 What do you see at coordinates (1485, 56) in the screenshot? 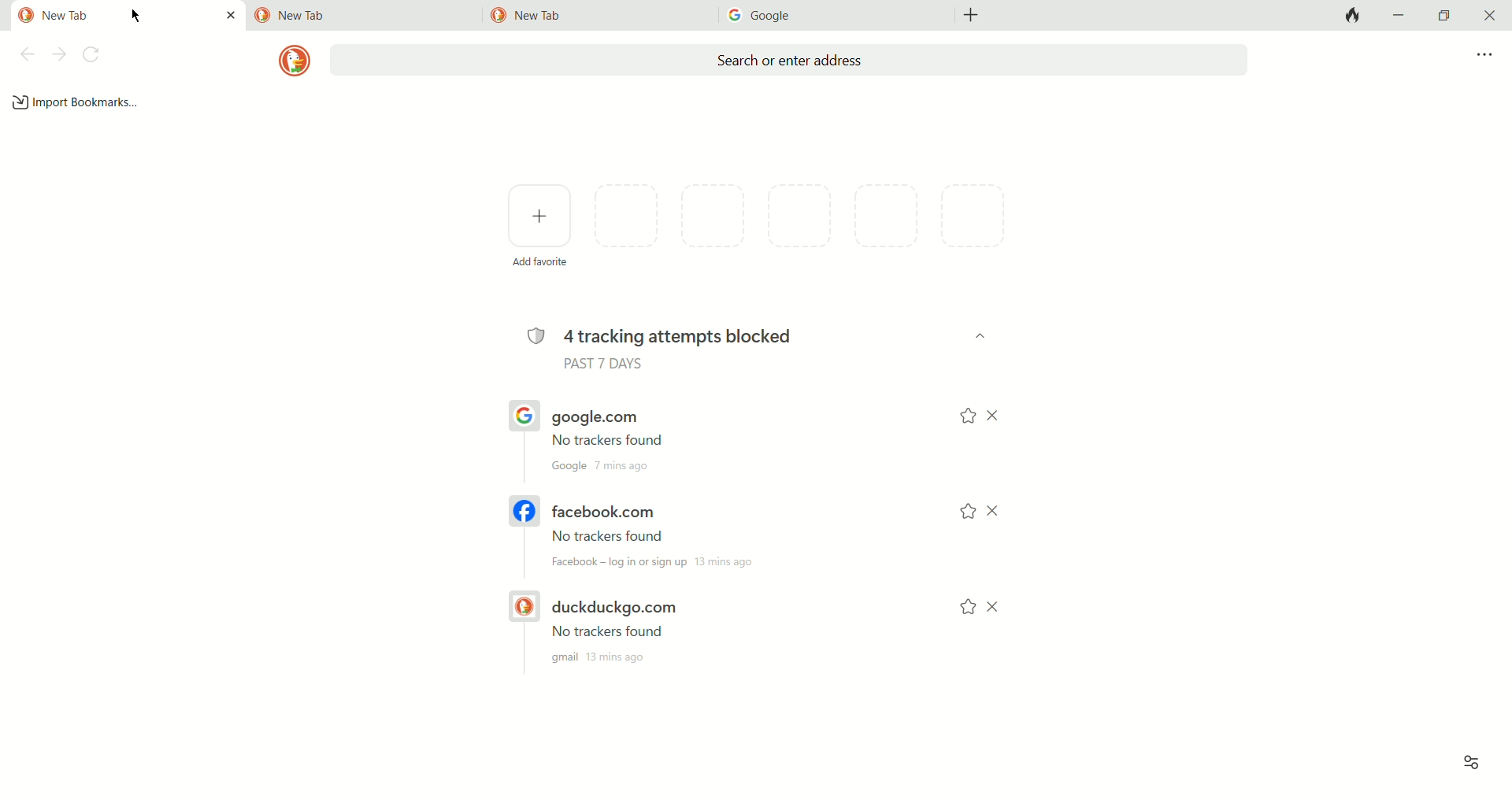
I see `more options` at bounding box center [1485, 56].